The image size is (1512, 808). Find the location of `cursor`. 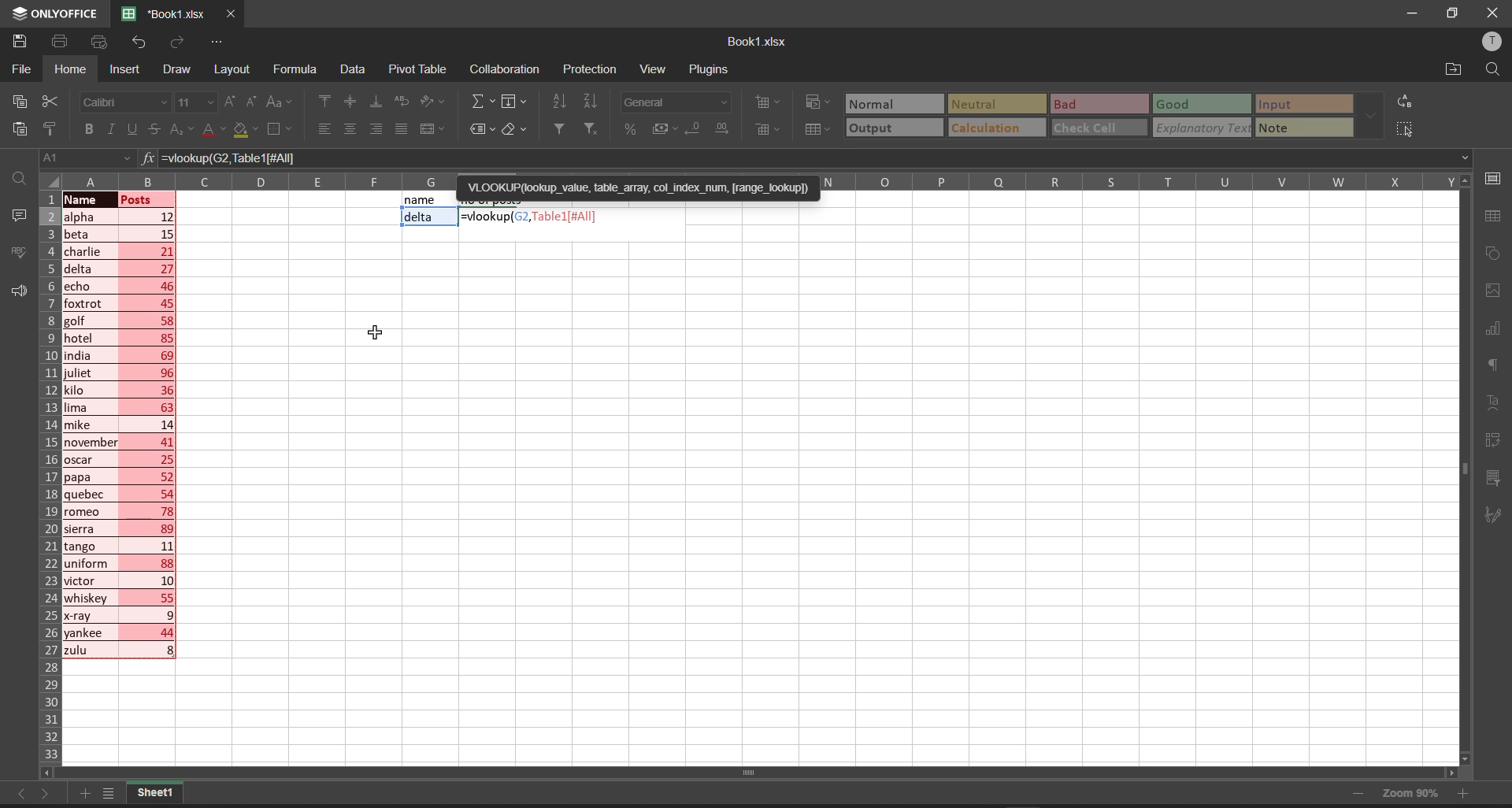

cursor is located at coordinates (83, 202).